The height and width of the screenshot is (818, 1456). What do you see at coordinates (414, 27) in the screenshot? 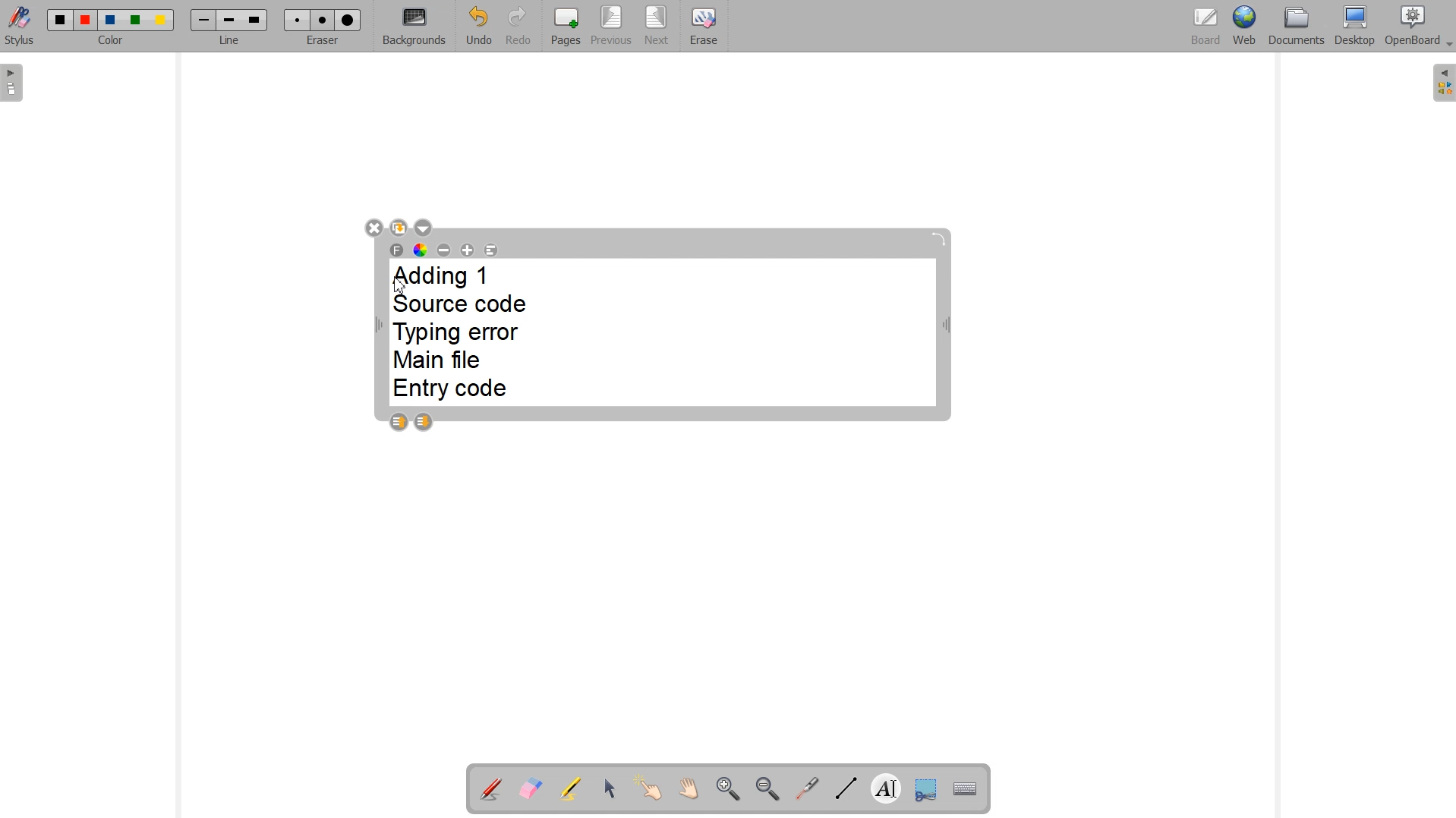
I see `Backgrounds` at bounding box center [414, 27].